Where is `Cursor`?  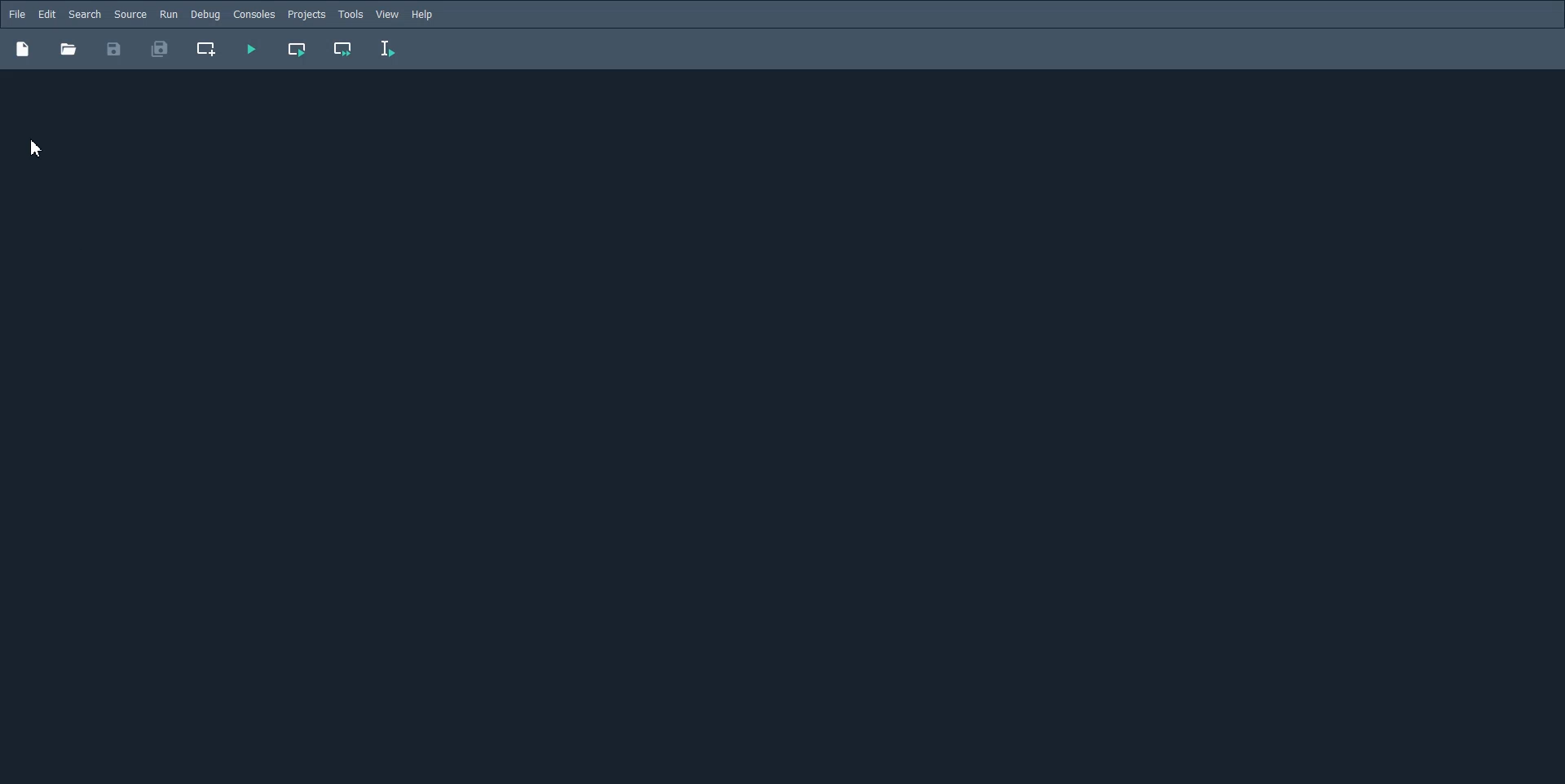 Cursor is located at coordinates (35, 149).